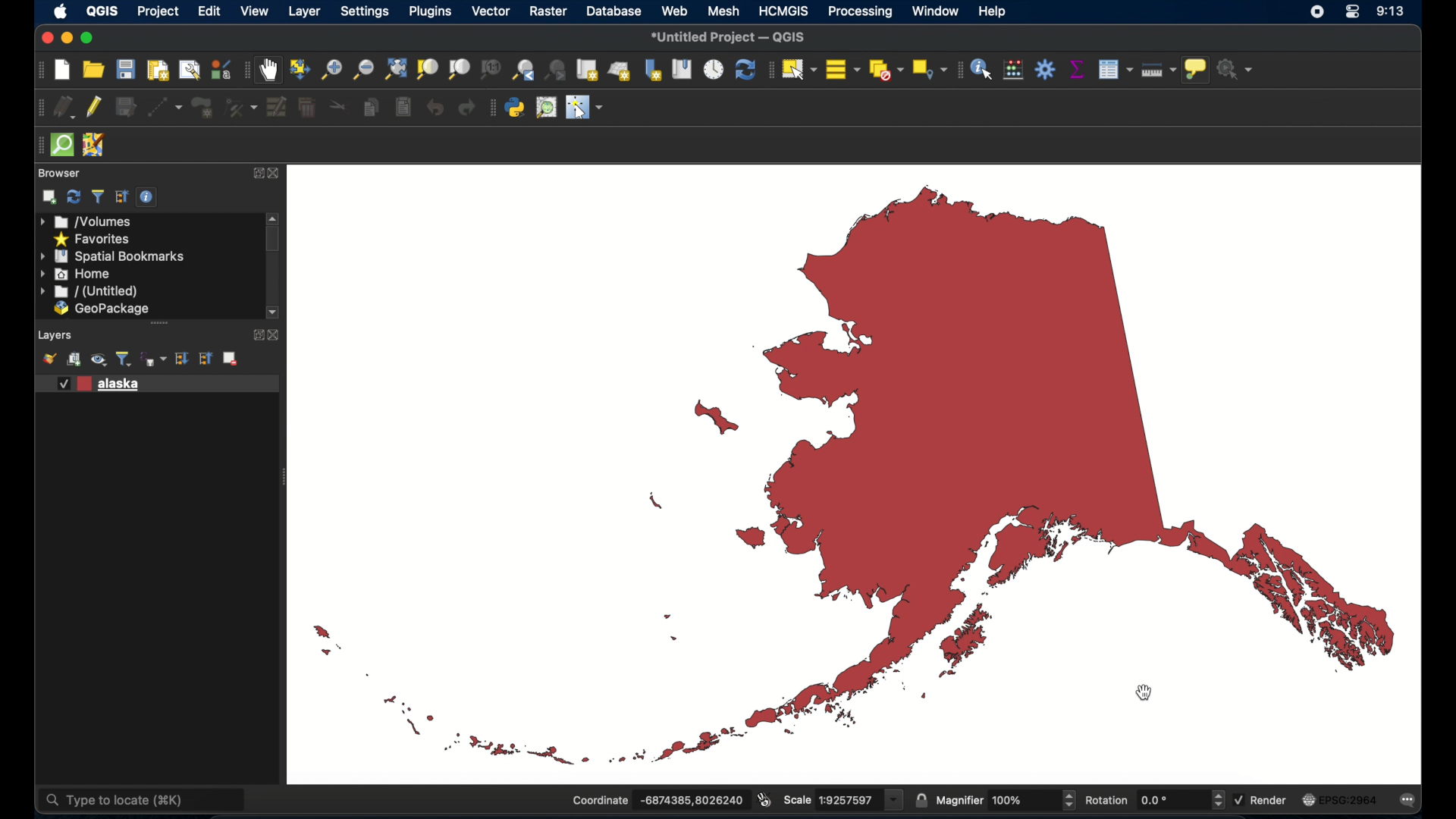  I want to click on vertex tool, so click(239, 108).